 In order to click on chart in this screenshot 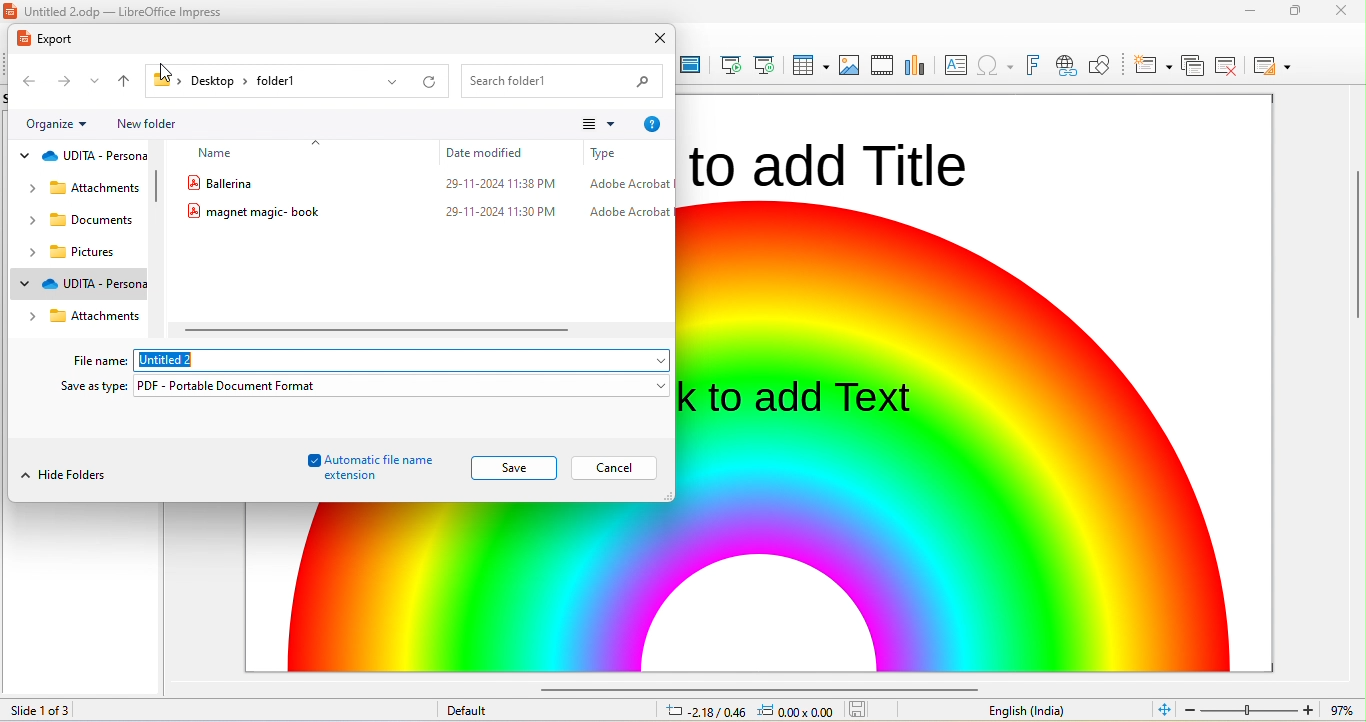, I will do `click(915, 66)`.